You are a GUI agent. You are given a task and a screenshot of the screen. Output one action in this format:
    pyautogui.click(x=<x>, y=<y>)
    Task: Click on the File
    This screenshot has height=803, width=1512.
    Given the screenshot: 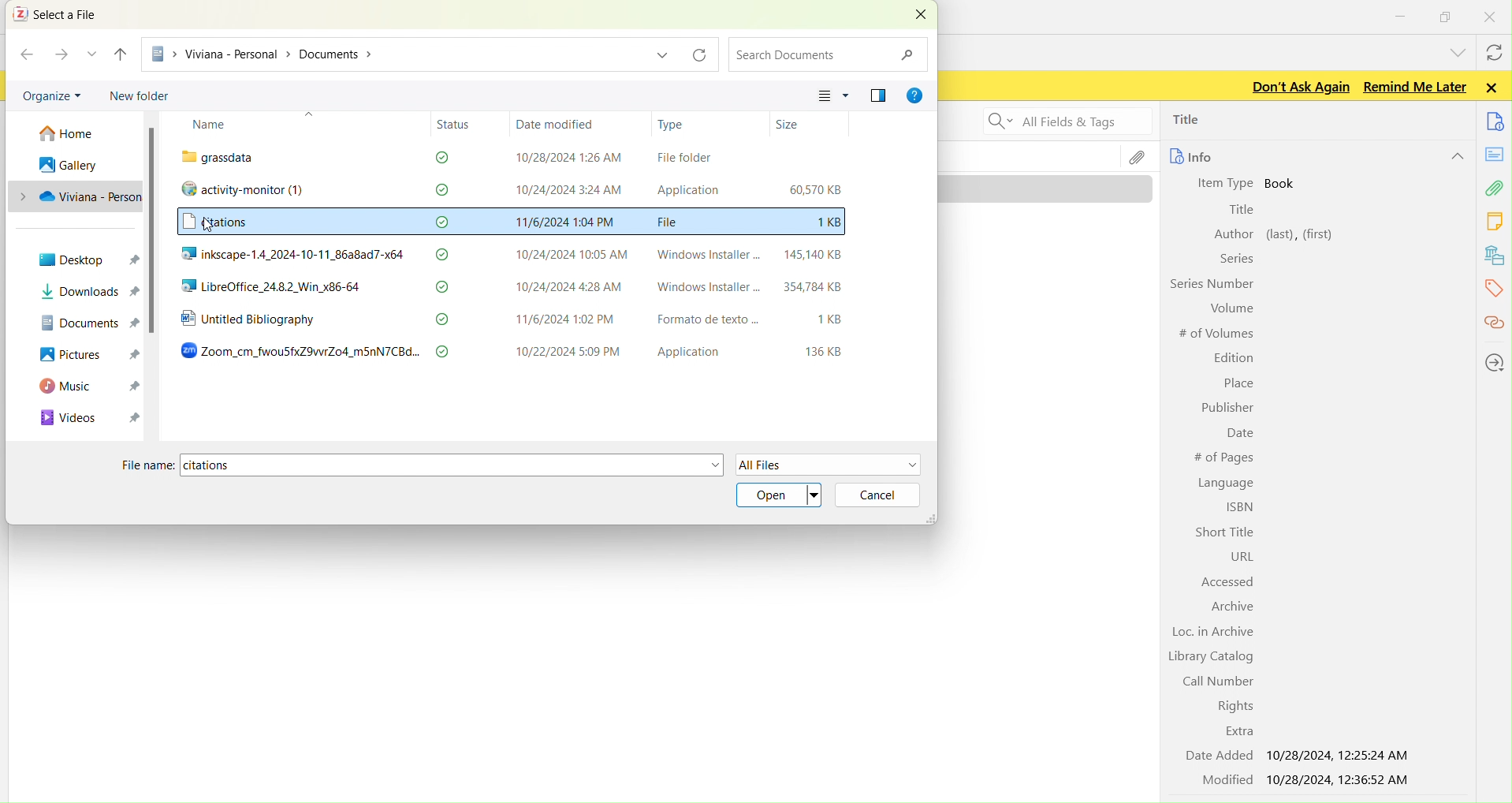 What is the action you would take?
    pyautogui.click(x=673, y=222)
    